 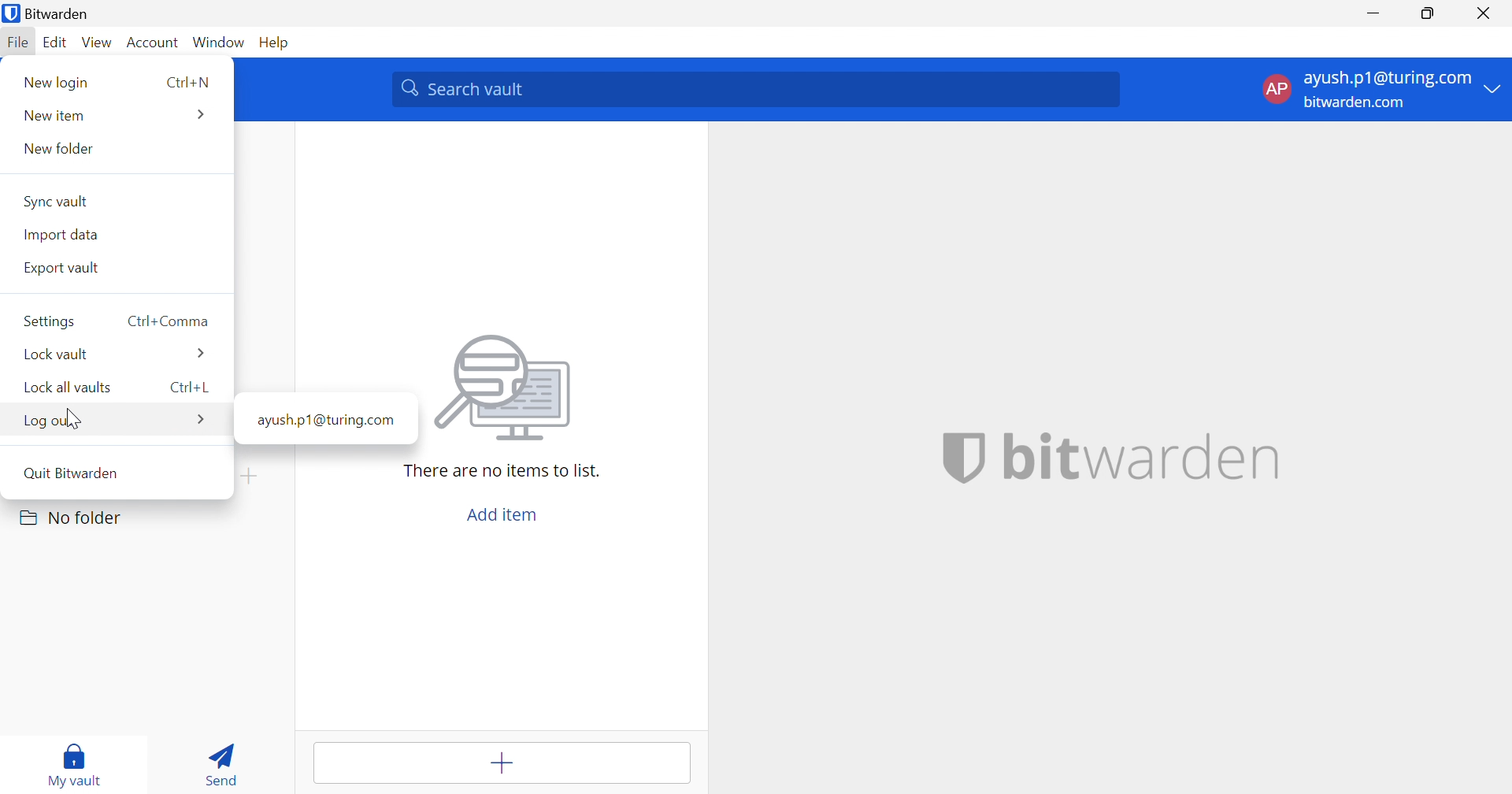 What do you see at coordinates (49, 421) in the screenshot?
I see `Log out` at bounding box center [49, 421].